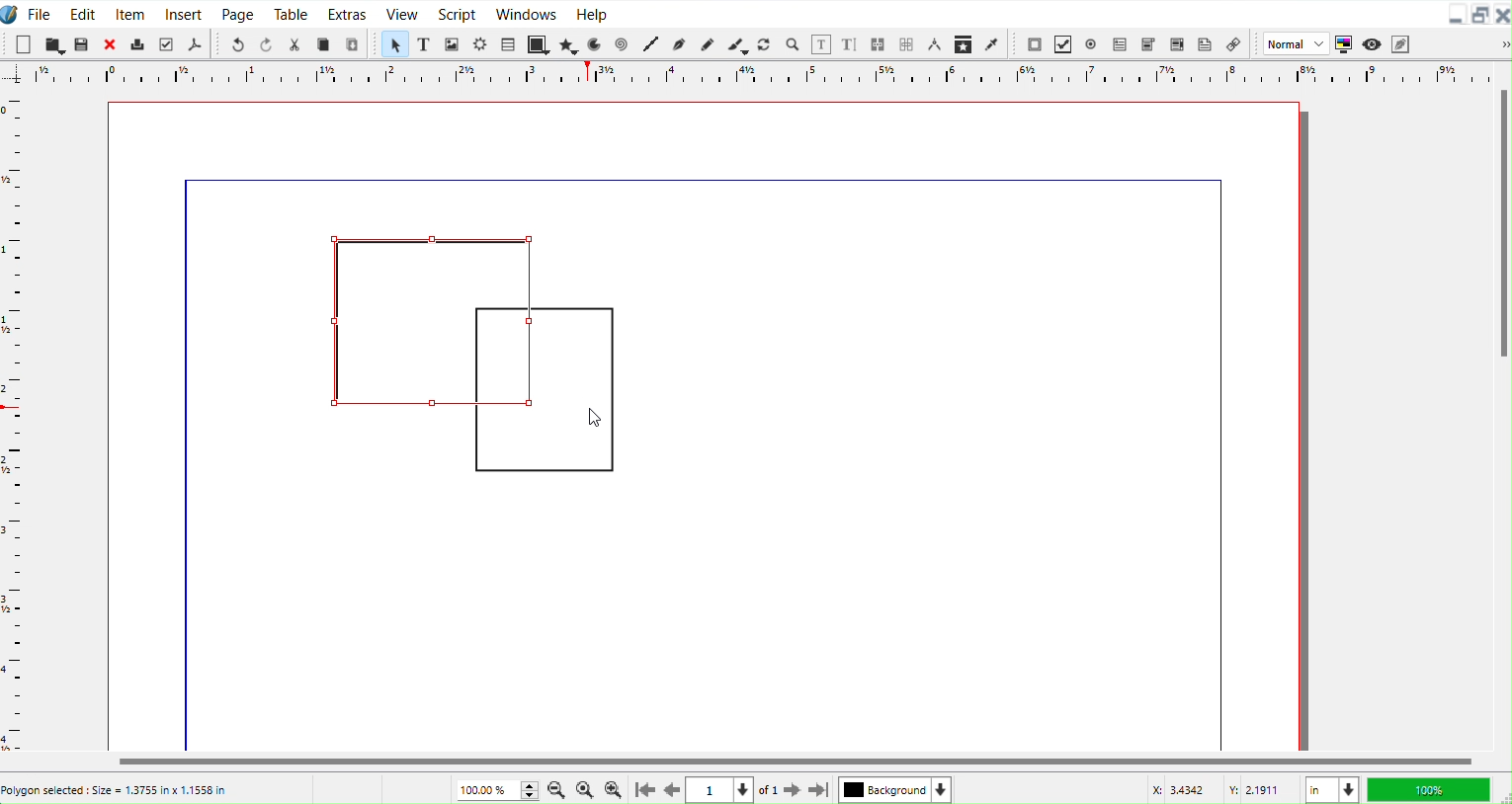 The height and width of the screenshot is (804, 1512). What do you see at coordinates (508, 43) in the screenshot?
I see `Table` at bounding box center [508, 43].